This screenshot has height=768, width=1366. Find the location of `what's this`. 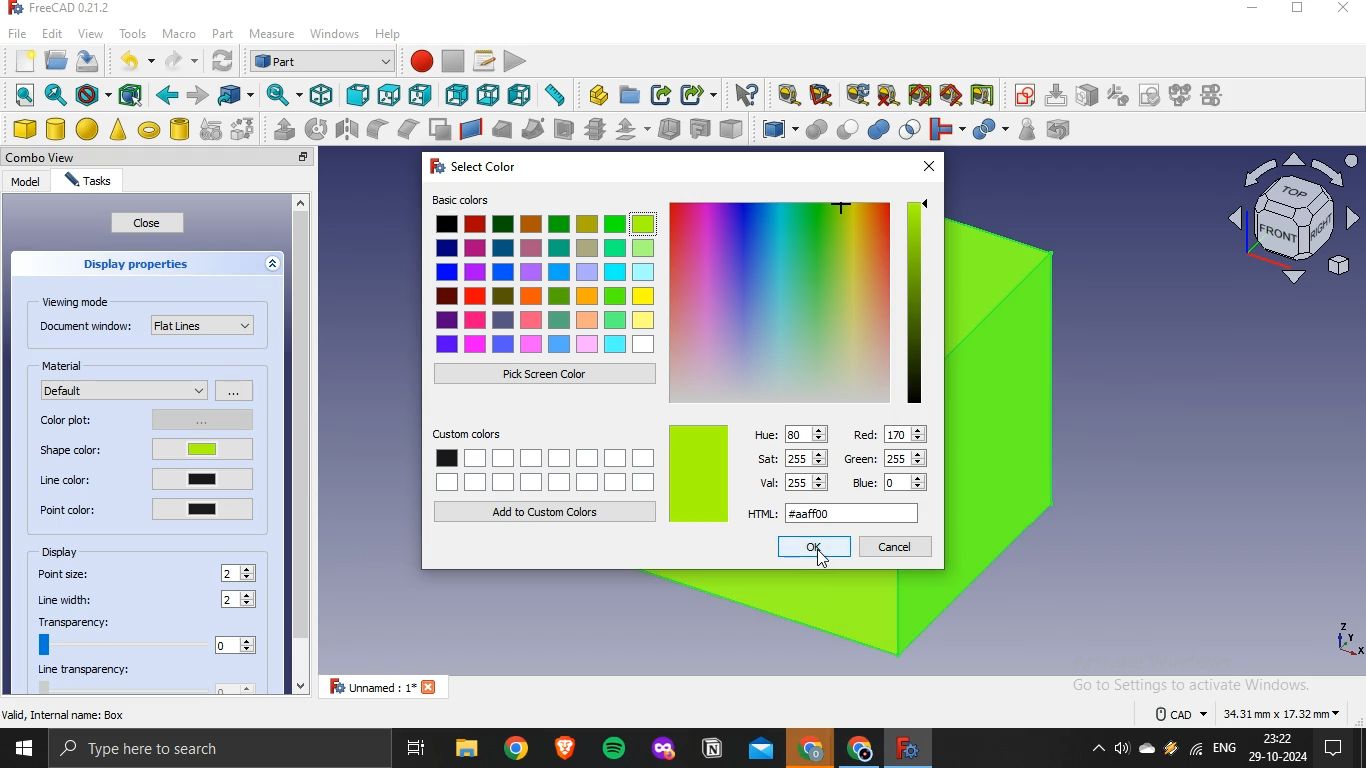

what's this is located at coordinates (746, 95).